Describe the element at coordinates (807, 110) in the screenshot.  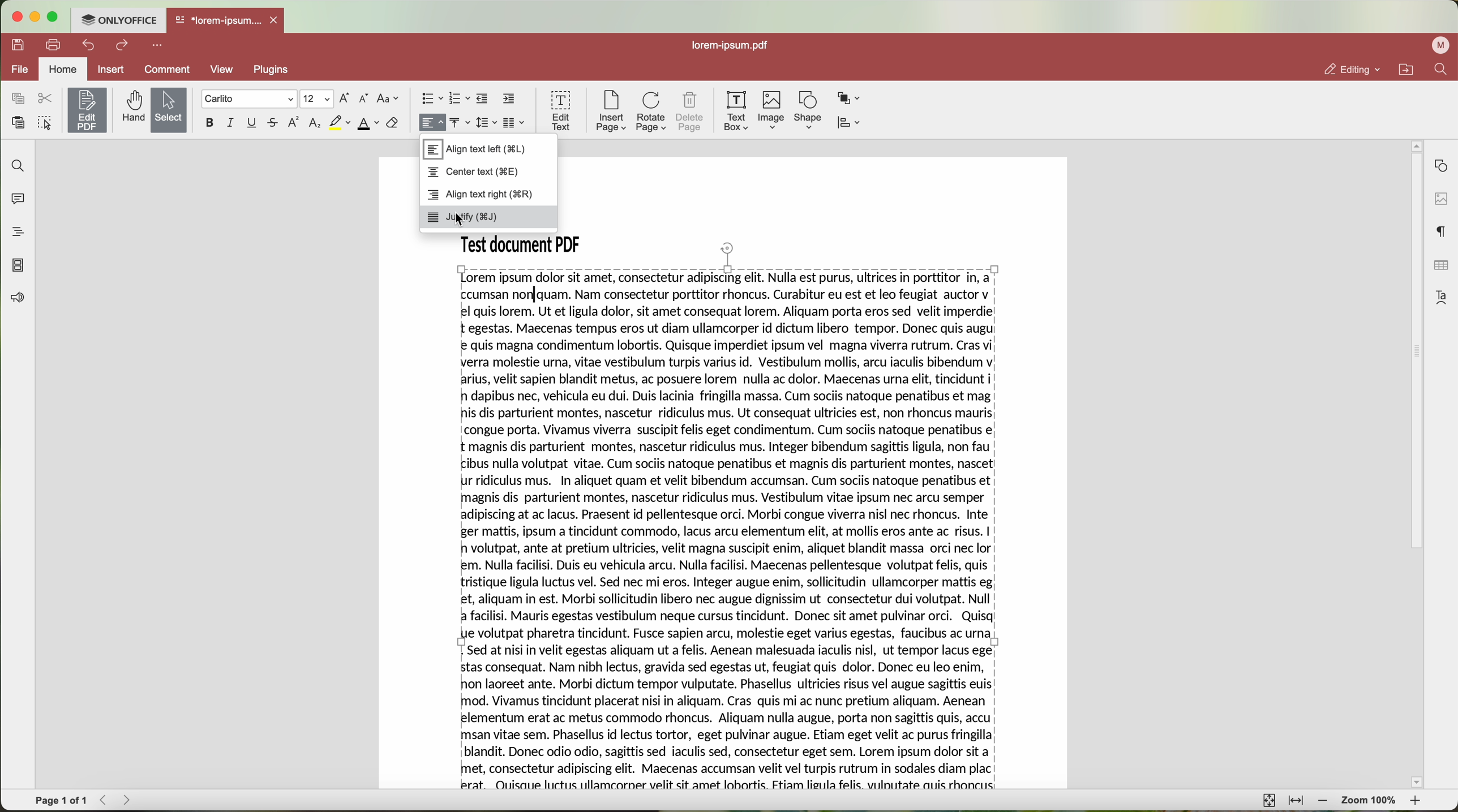
I see `shape` at that location.